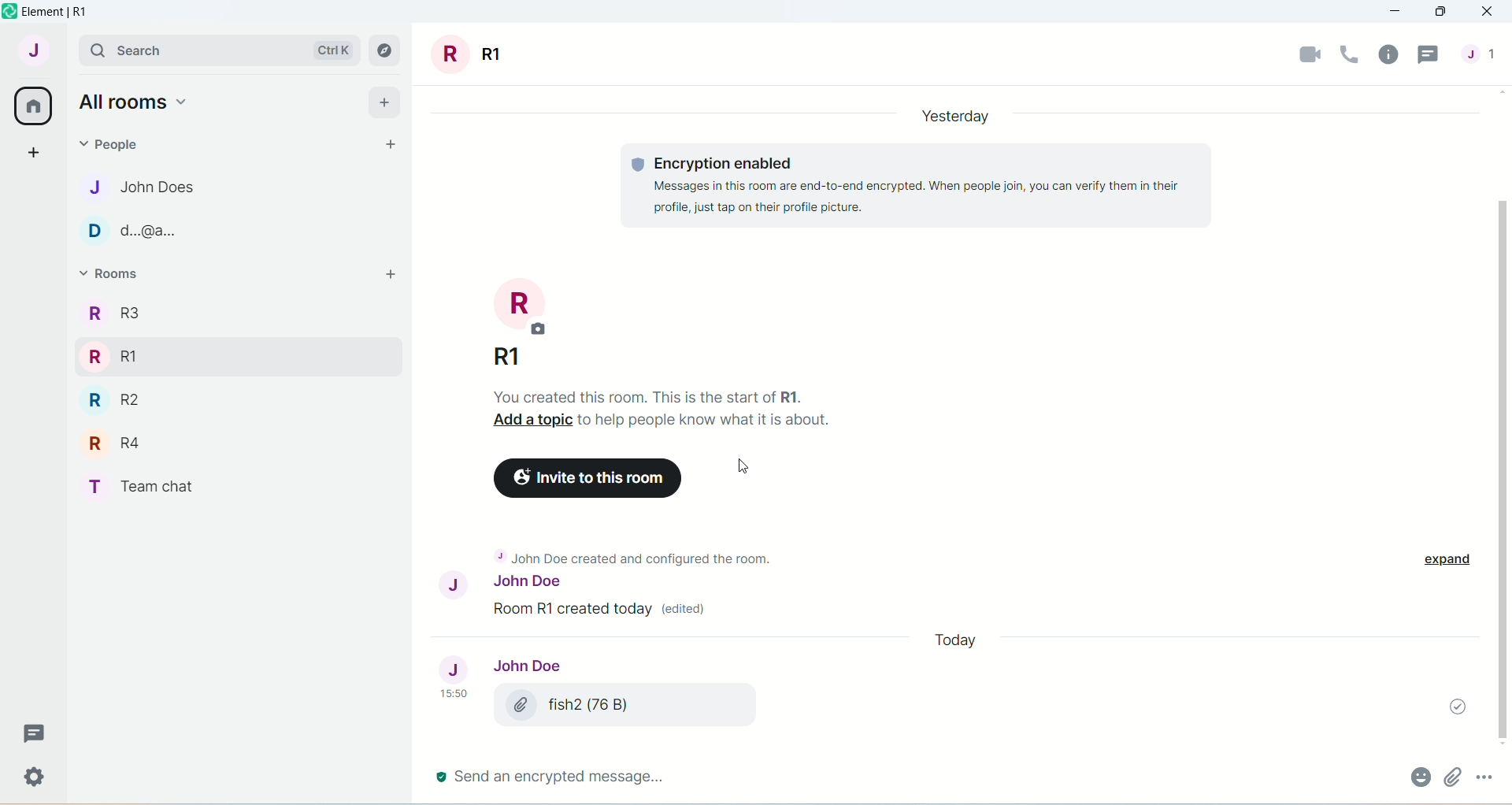 This screenshot has height=805, width=1512. I want to click on room info, so click(1388, 55).